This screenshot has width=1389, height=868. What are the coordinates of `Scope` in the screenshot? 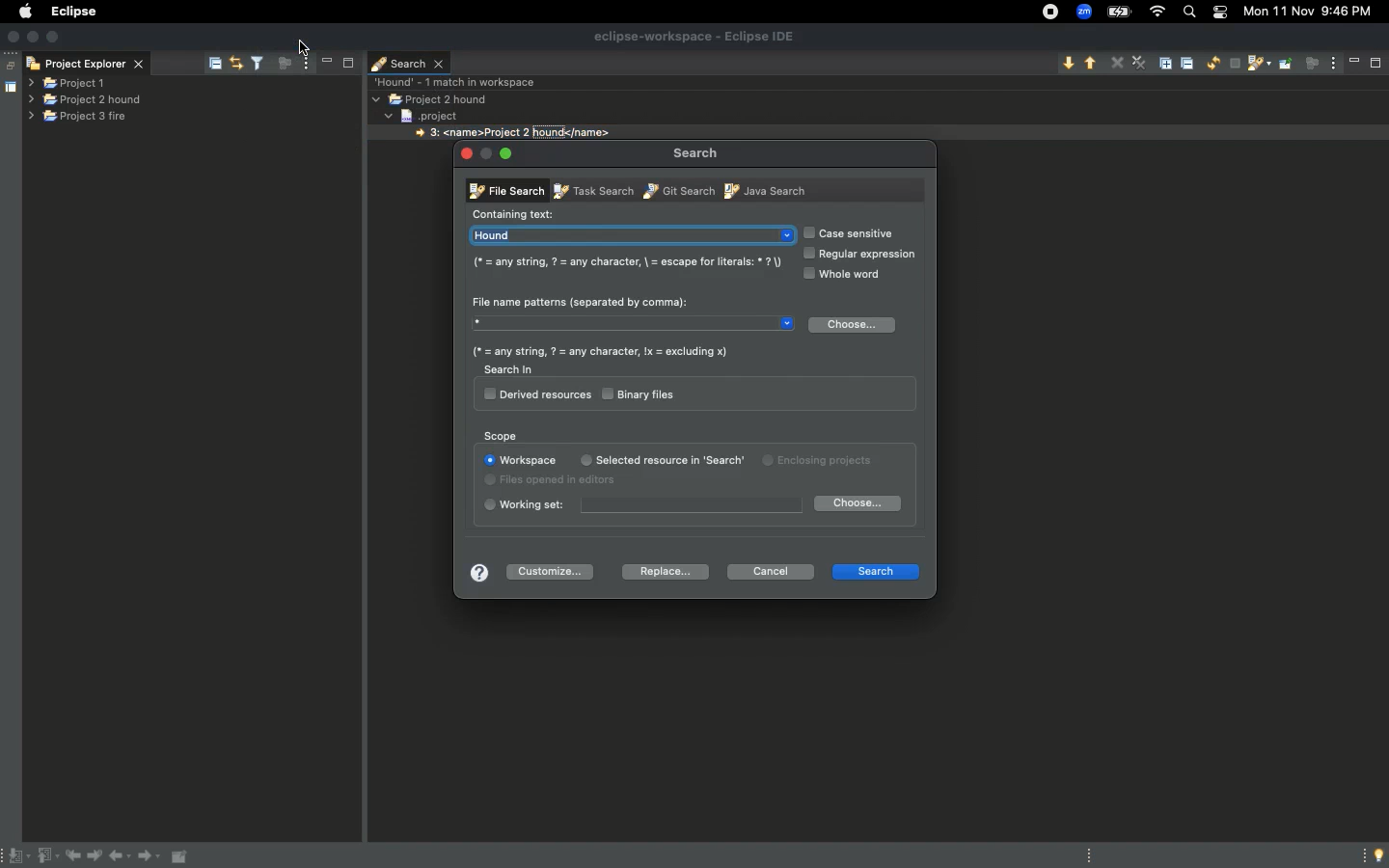 It's located at (503, 435).